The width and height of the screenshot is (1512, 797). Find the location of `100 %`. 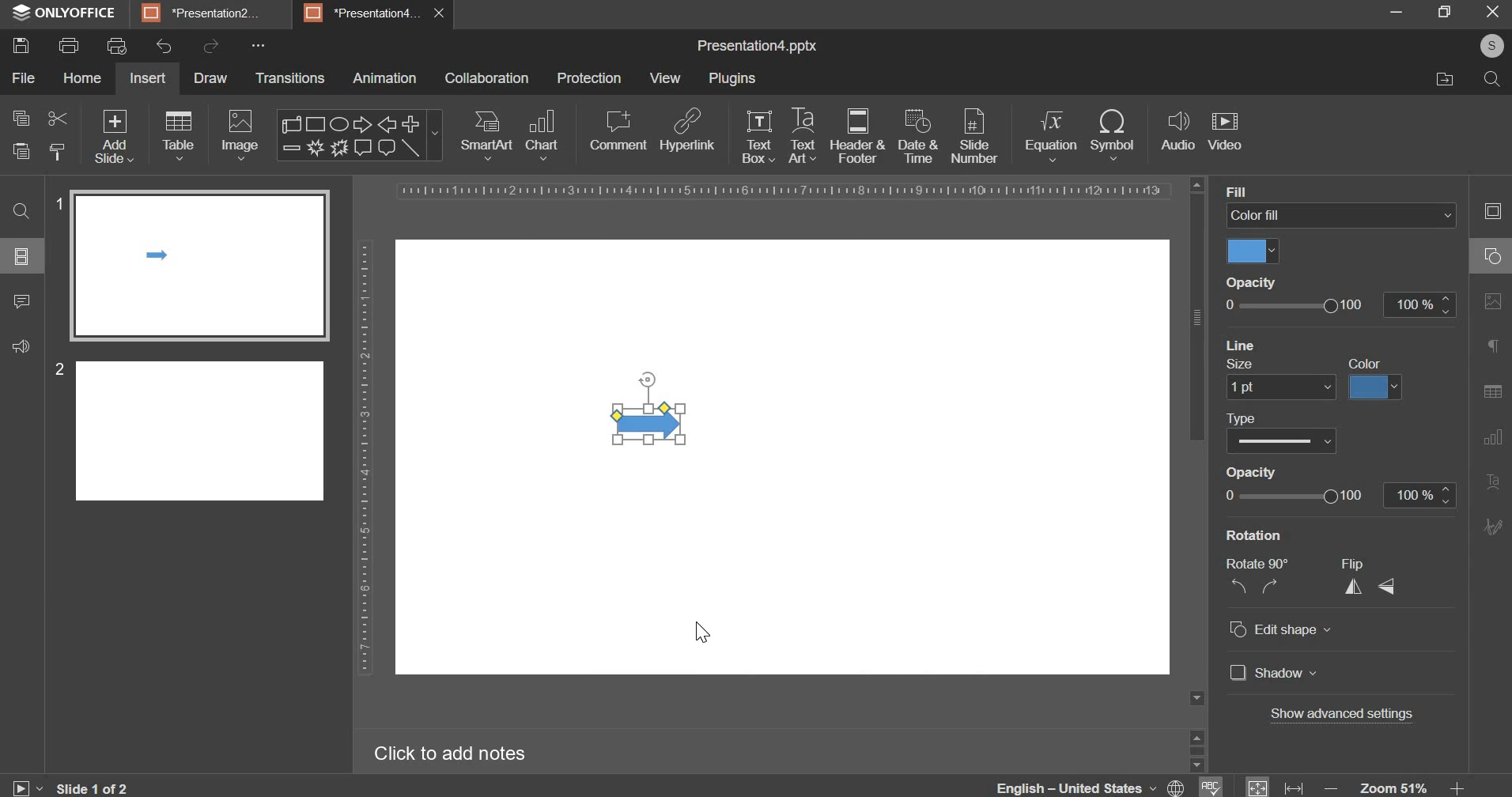

100 % is located at coordinates (1416, 494).